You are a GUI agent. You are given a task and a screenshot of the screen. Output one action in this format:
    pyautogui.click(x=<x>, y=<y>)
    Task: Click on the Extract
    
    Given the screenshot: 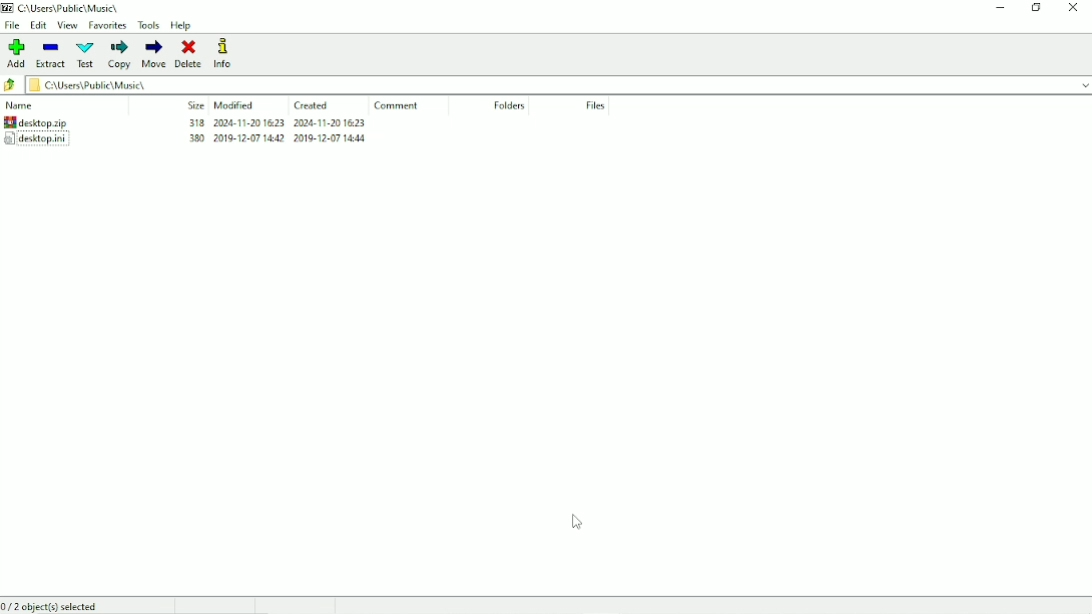 What is the action you would take?
    pyautogui.click(x=51, y=56)
    